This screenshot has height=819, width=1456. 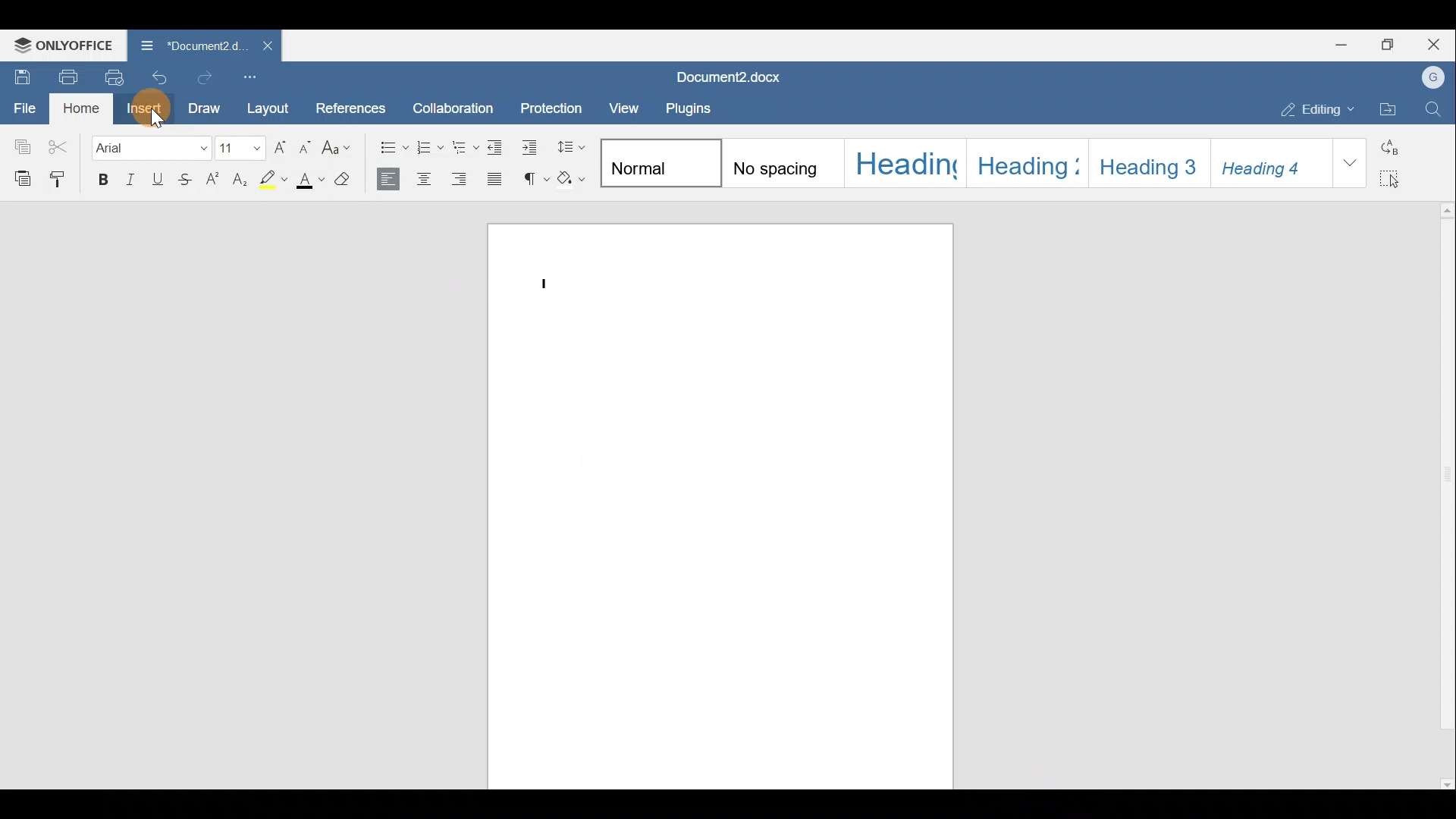 I want to click on ONLYOFFICE Menu, so click(x=61, y=45).